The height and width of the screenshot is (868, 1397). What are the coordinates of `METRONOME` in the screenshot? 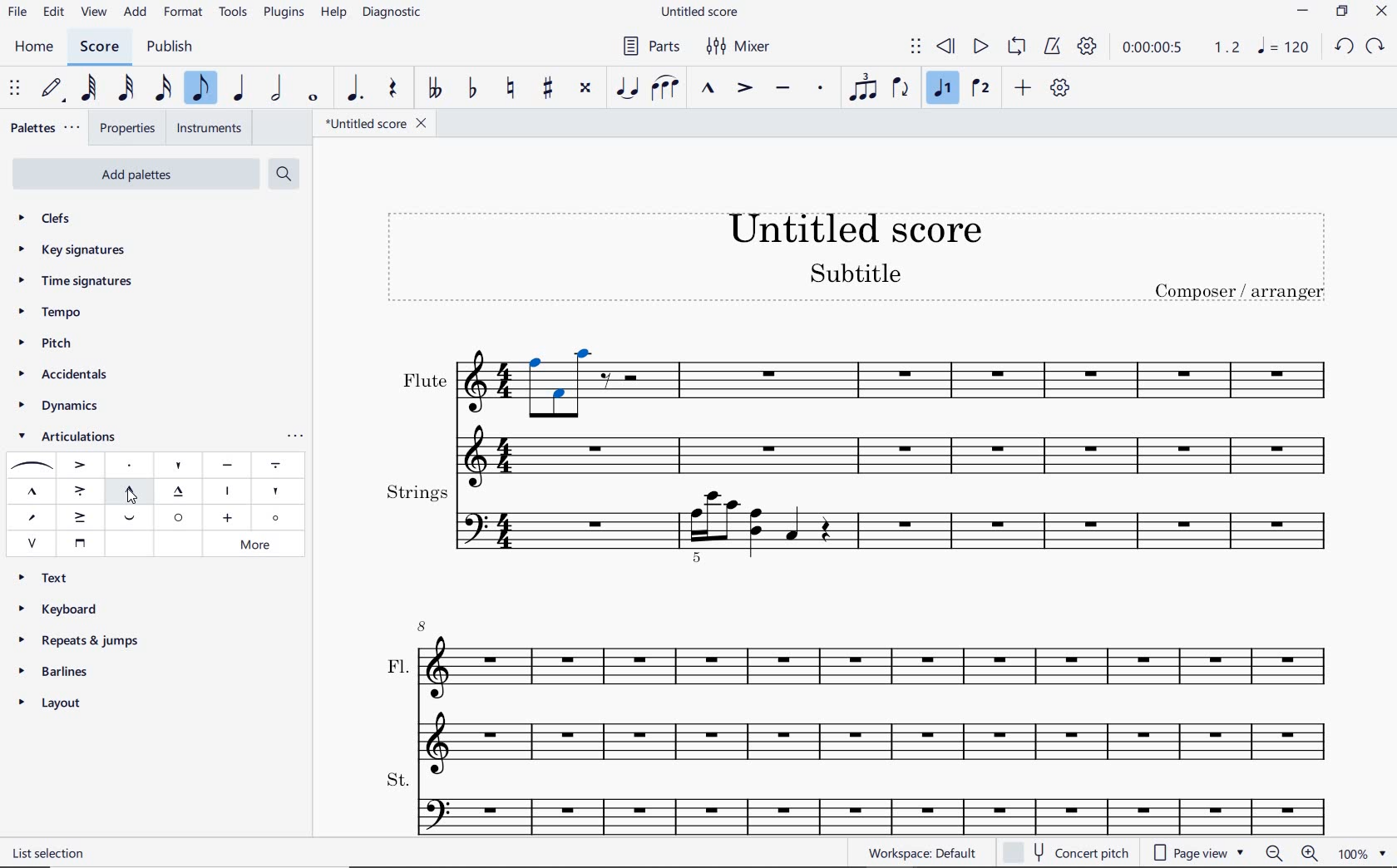 It's located at (1054, 46).